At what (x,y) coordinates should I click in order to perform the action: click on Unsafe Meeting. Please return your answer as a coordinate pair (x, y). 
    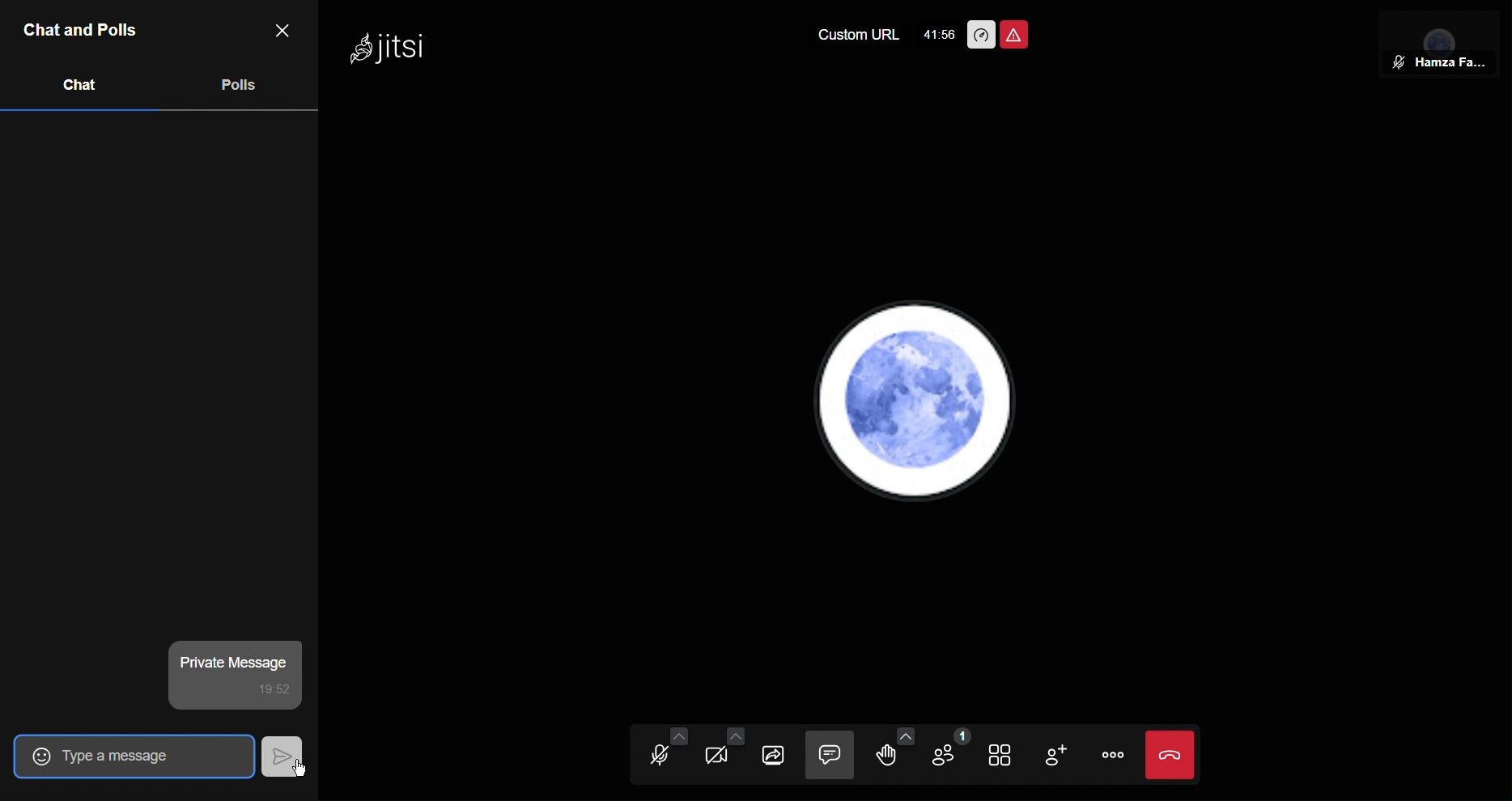
    Looking at the image, I should click on (1017, 36).